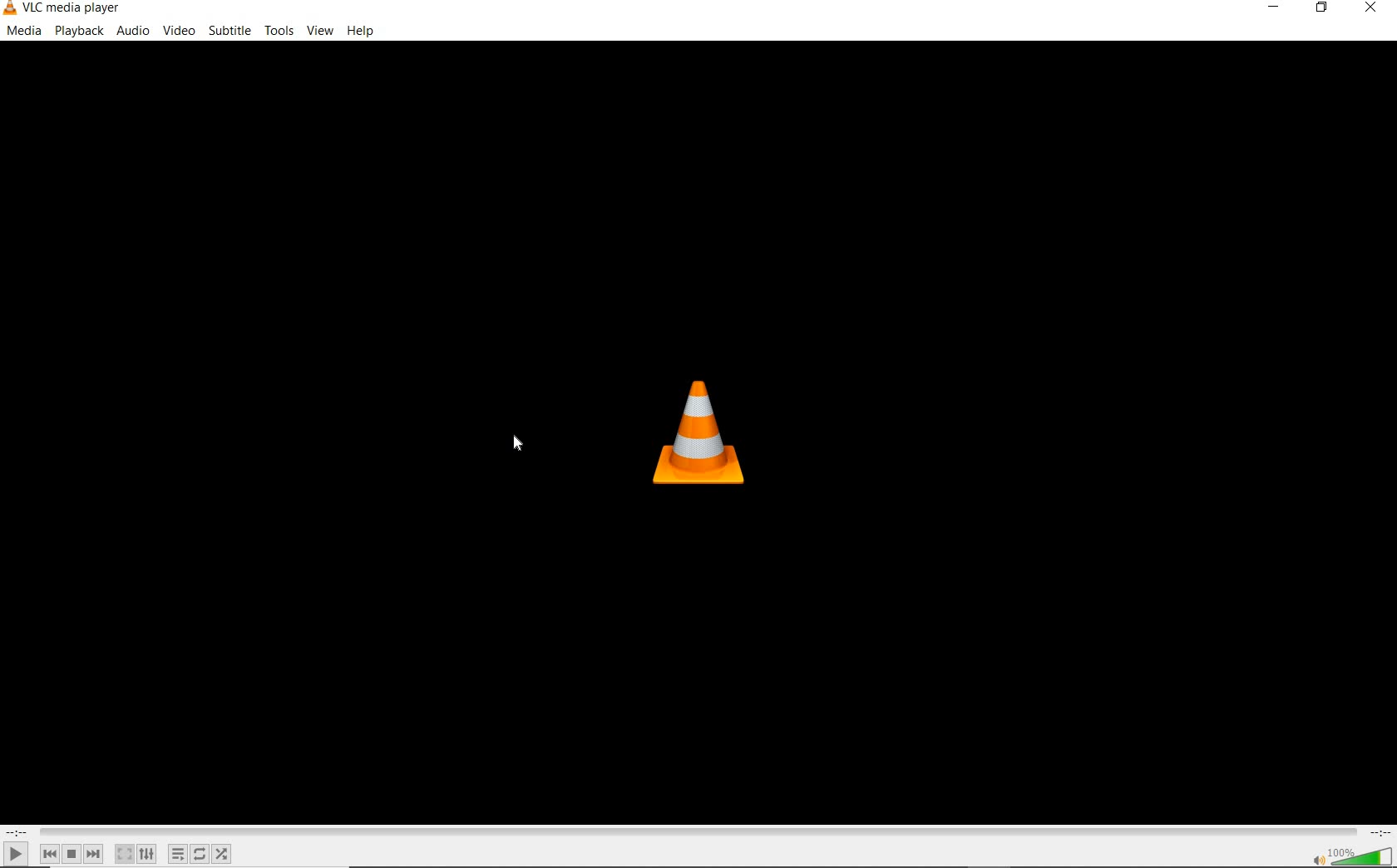 This screenshot has height=868, width=1397. Describe the element at coordinates (230, 31) in the screenshot. I see `subtitle` at that location.